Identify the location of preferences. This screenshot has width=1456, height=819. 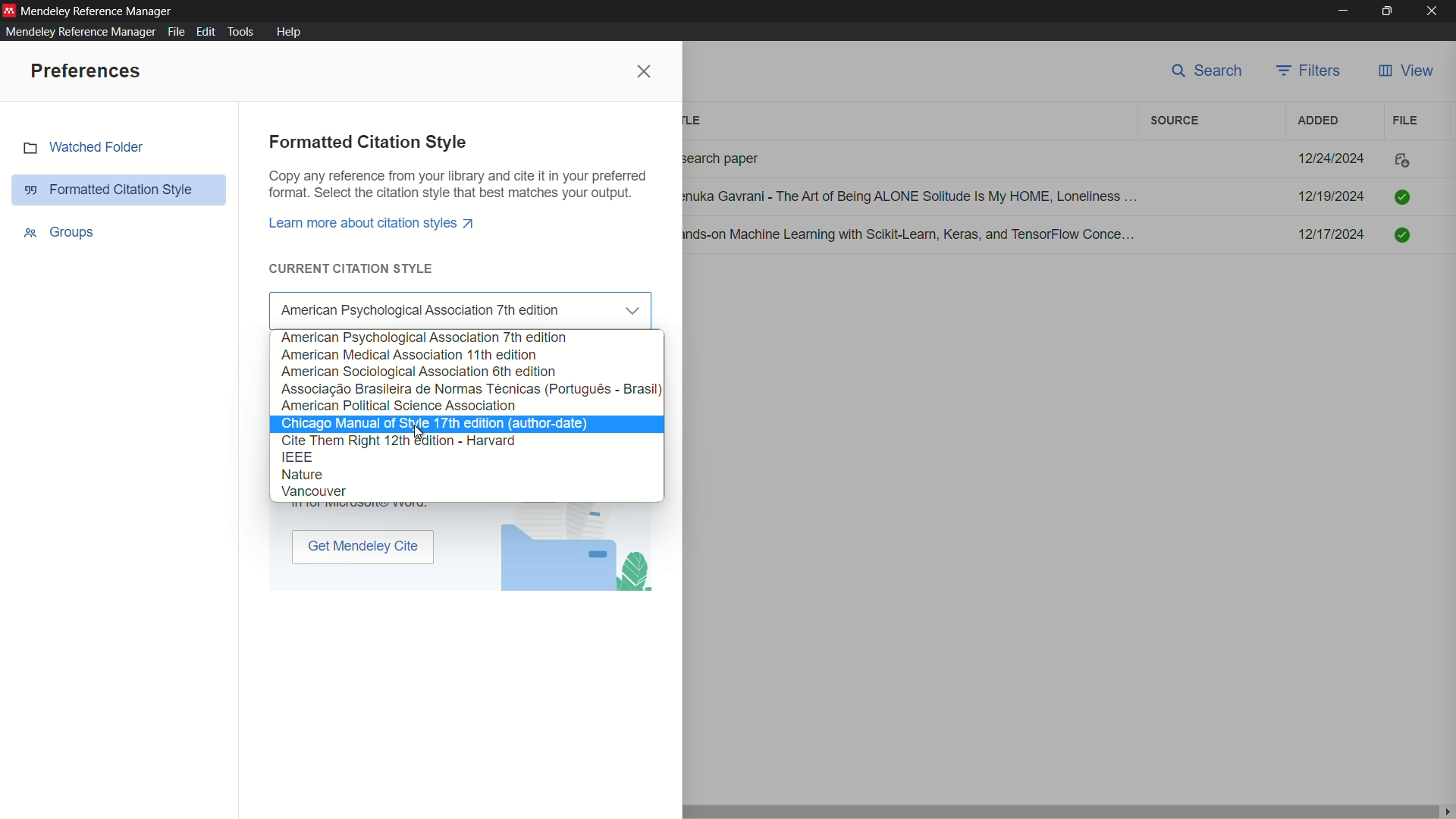
(83, 71).